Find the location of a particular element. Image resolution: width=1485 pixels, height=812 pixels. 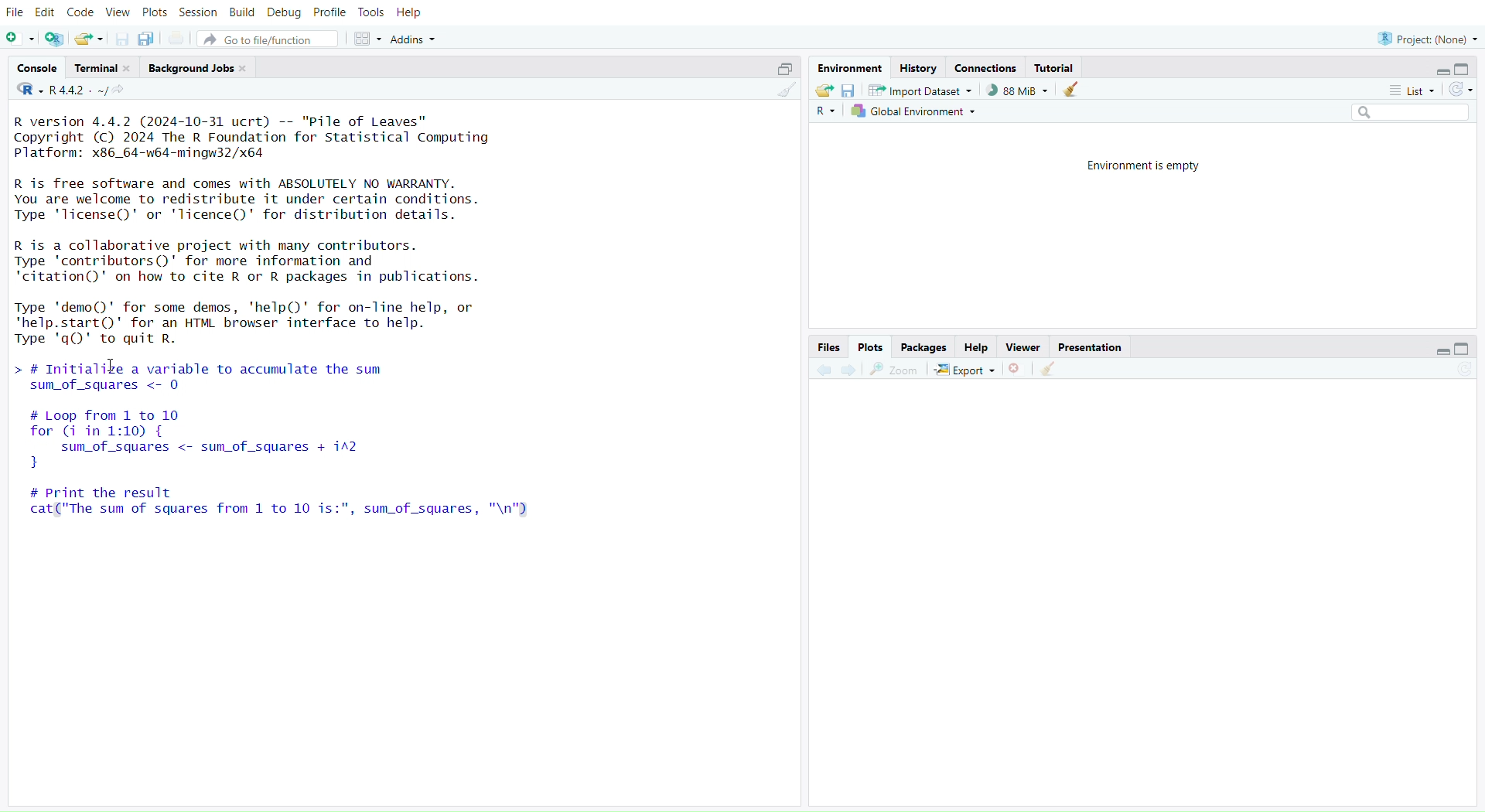

Type 'demo()' for some demos, 'help()' for on-line help, orhelp.start()' for an HTML browser interface to help.Type 'q() to quit R. is located at coordinates (258, 324).